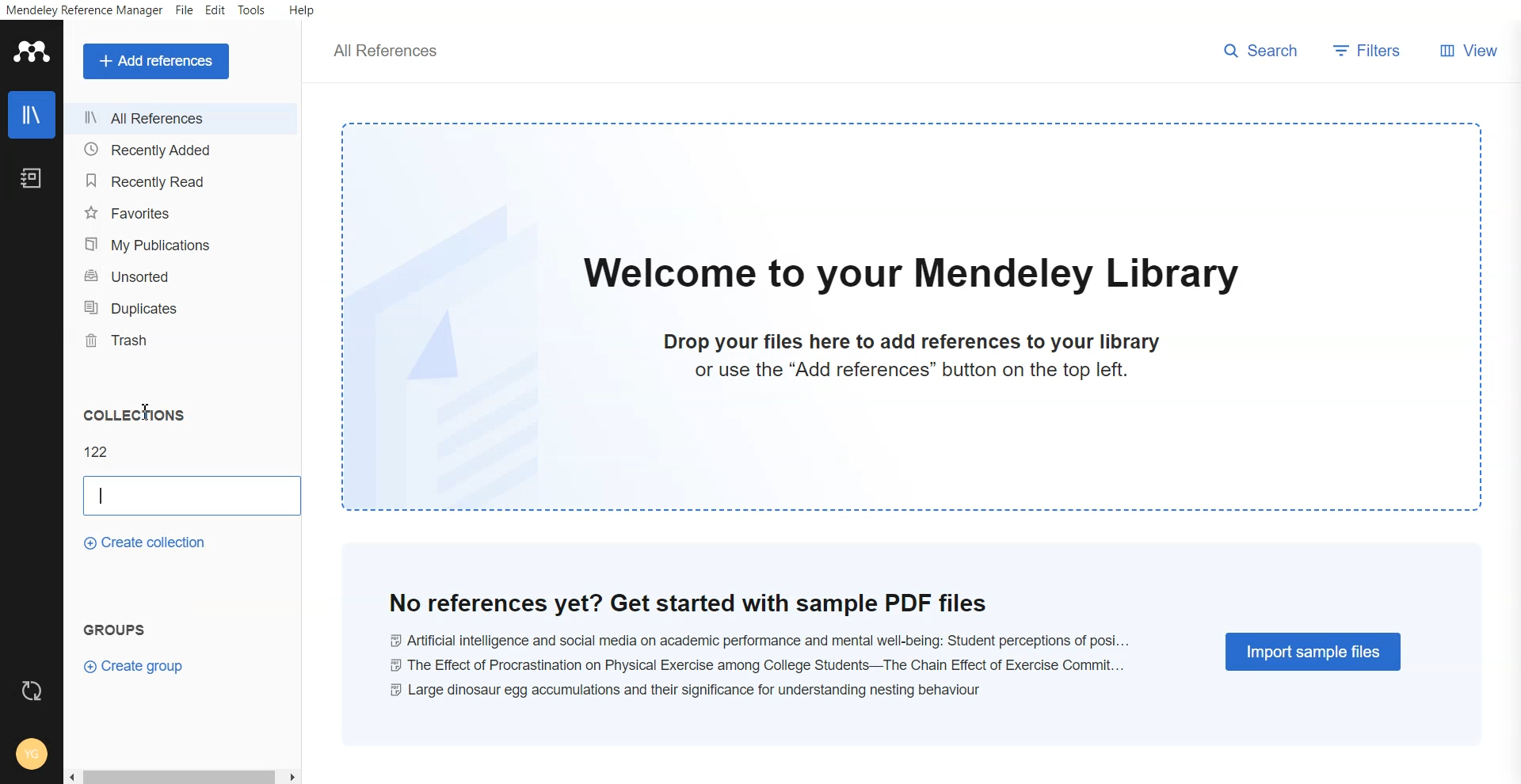  I want to click on Collections, so click(135, 415).